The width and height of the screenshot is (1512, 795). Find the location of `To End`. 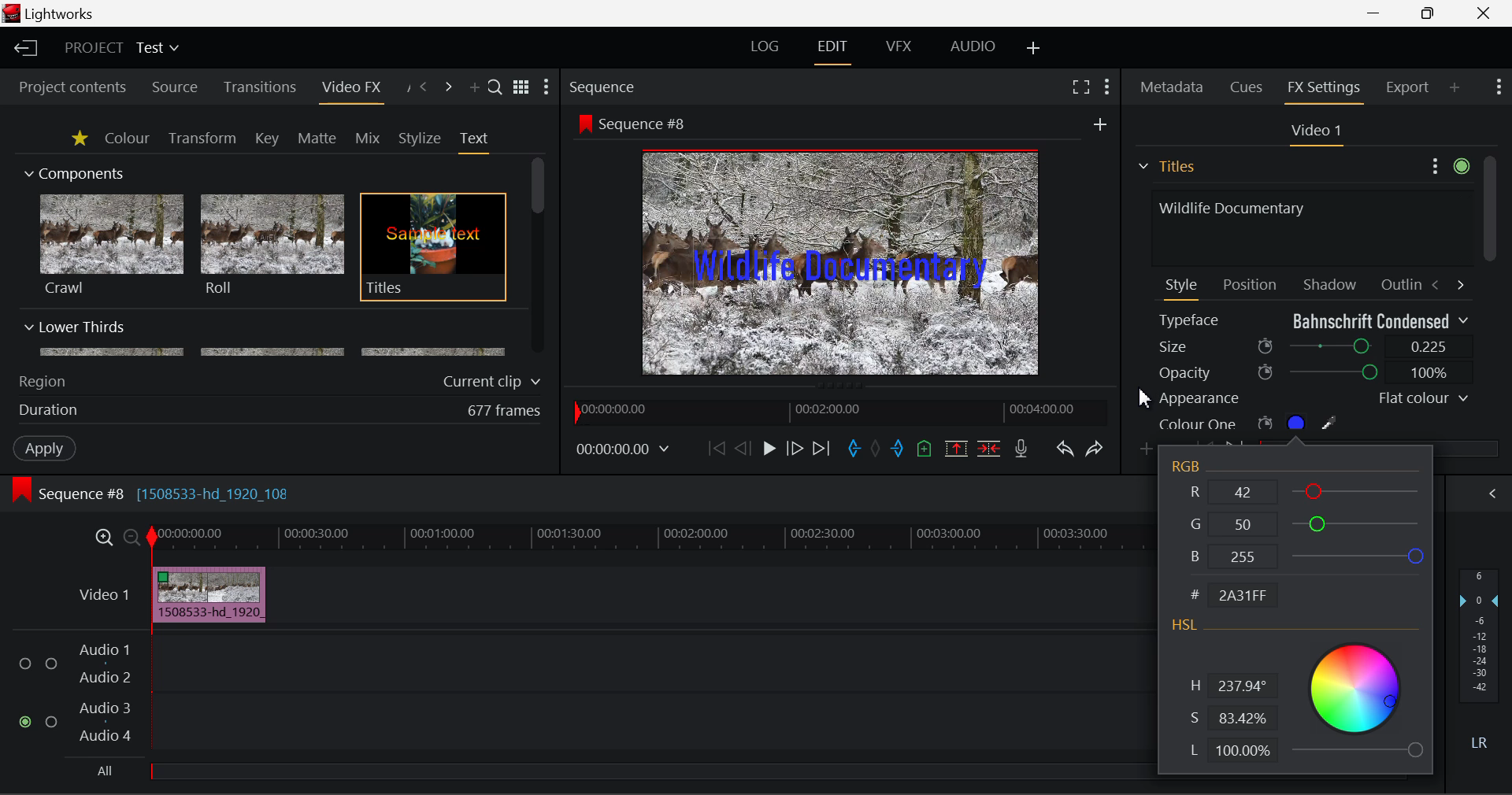

To End is located at coordinates (822, 451).